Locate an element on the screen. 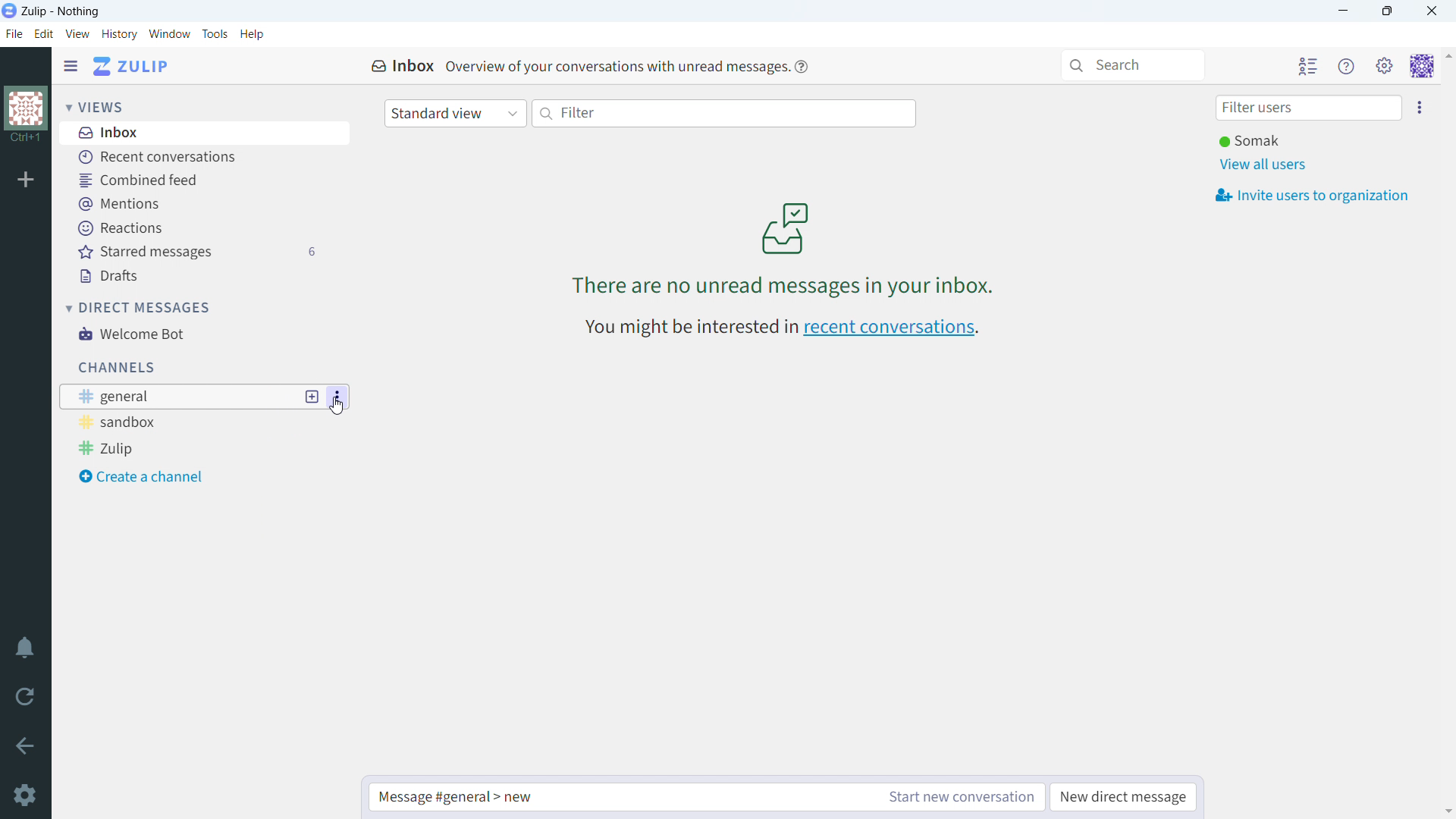  scroll up is located at coordinates (1447, 55).